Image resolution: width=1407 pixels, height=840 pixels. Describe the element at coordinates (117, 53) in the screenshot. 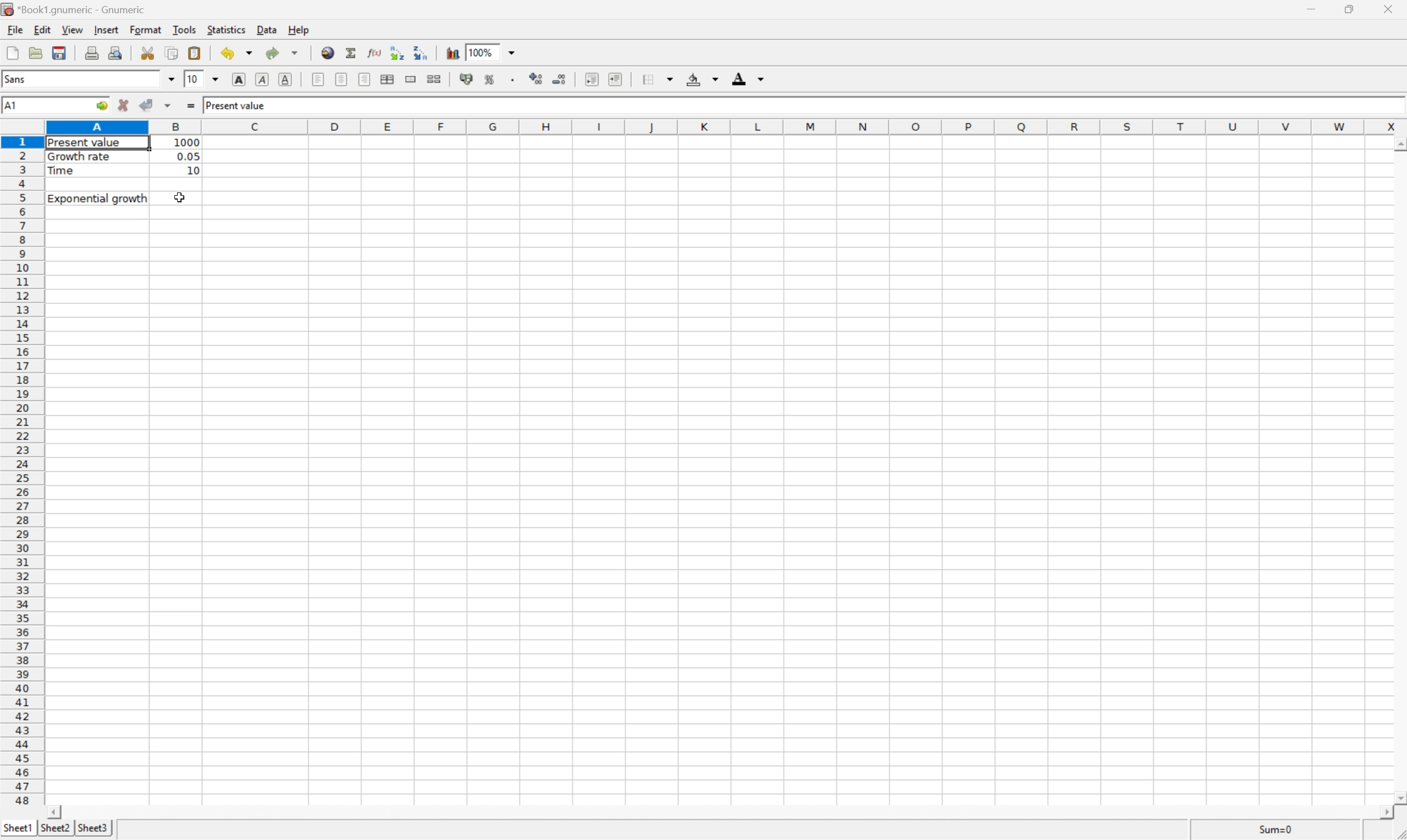

I see `Print preview` at that location.